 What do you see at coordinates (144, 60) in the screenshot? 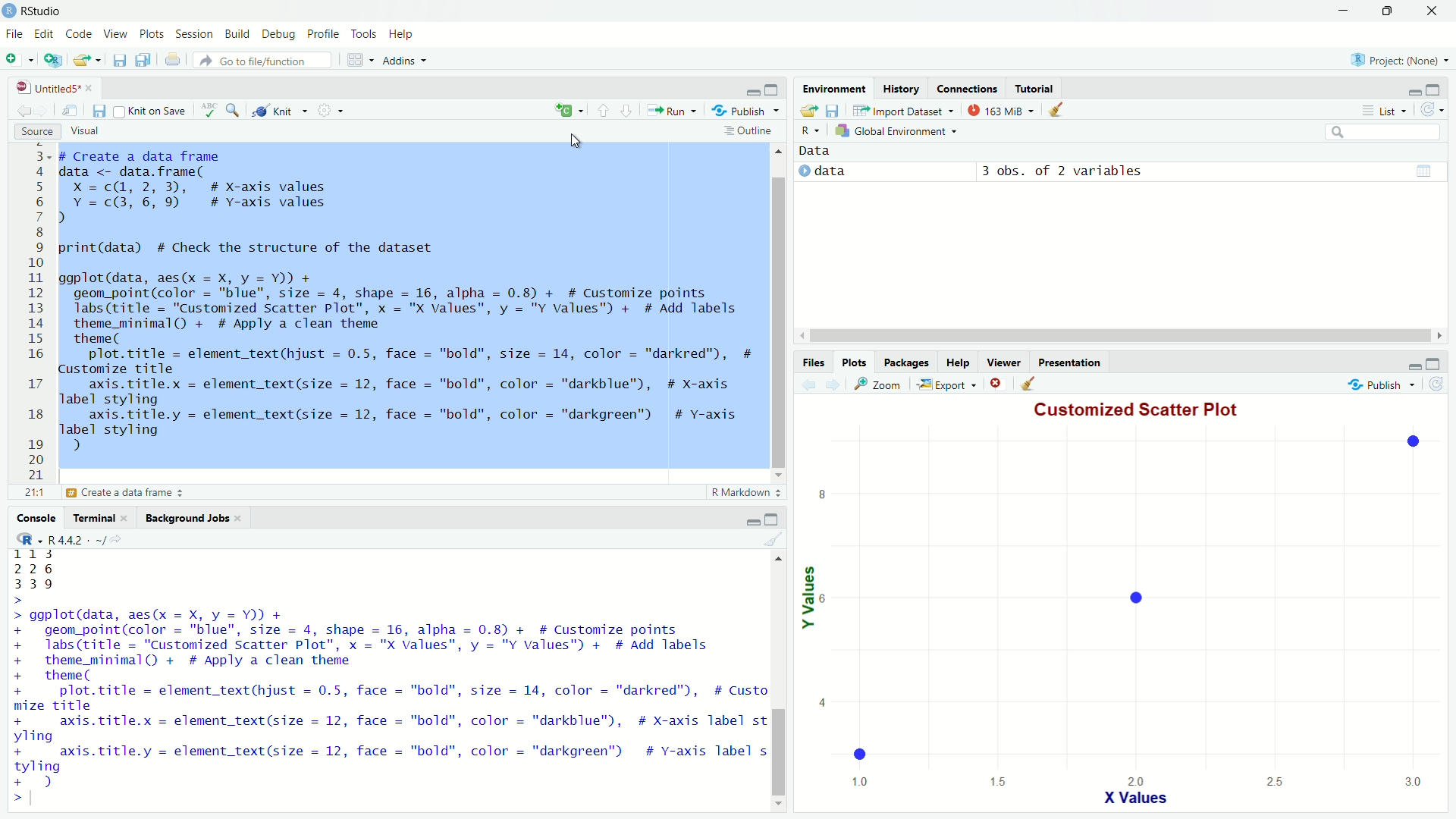
I see `Save all open documents` at bounding box center [144, 60].